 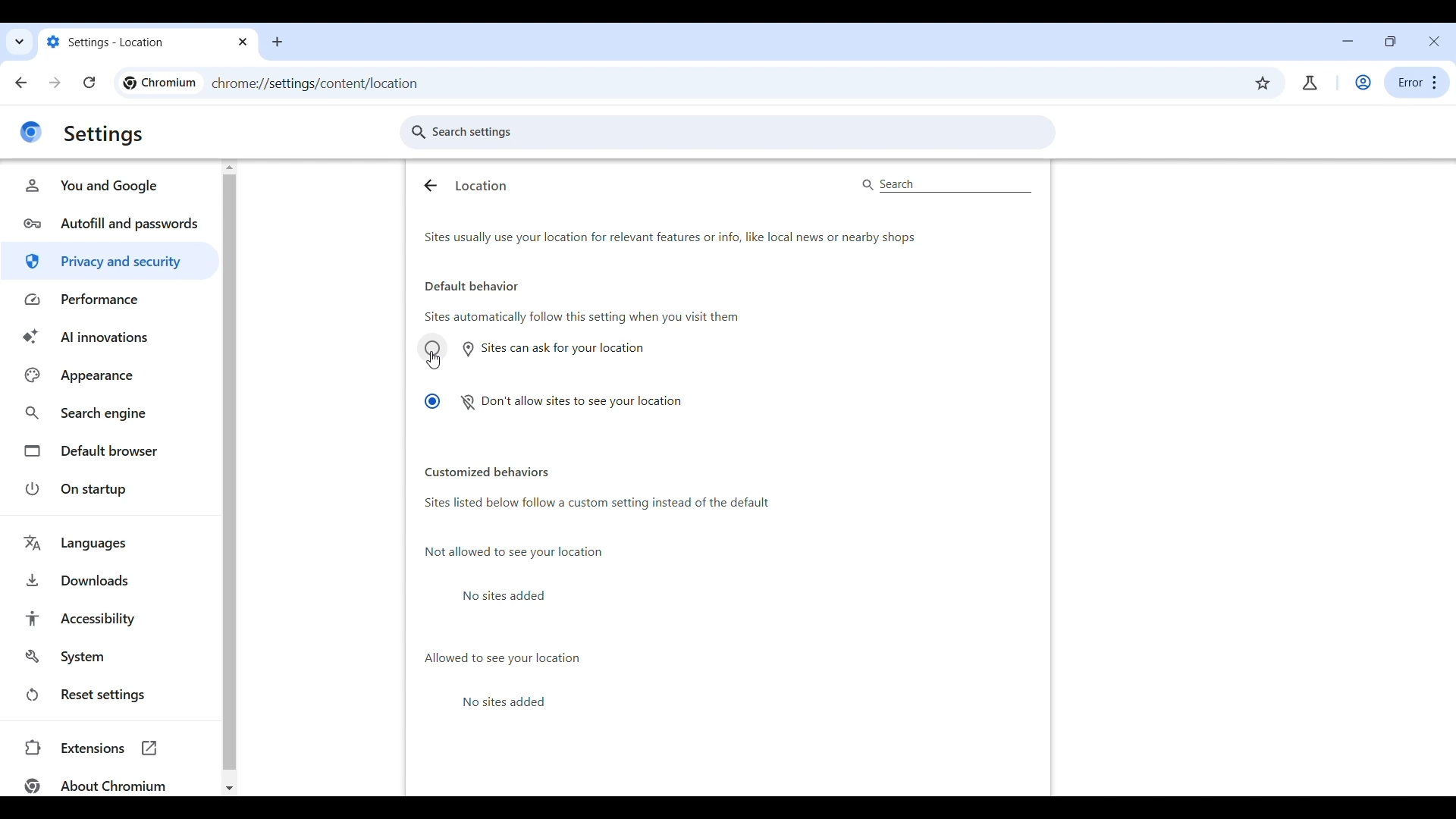 What do you see at coordinates (1448, 166) in the screenshot?
I see `Quick slide to top` at bounding box center [1448, 166].